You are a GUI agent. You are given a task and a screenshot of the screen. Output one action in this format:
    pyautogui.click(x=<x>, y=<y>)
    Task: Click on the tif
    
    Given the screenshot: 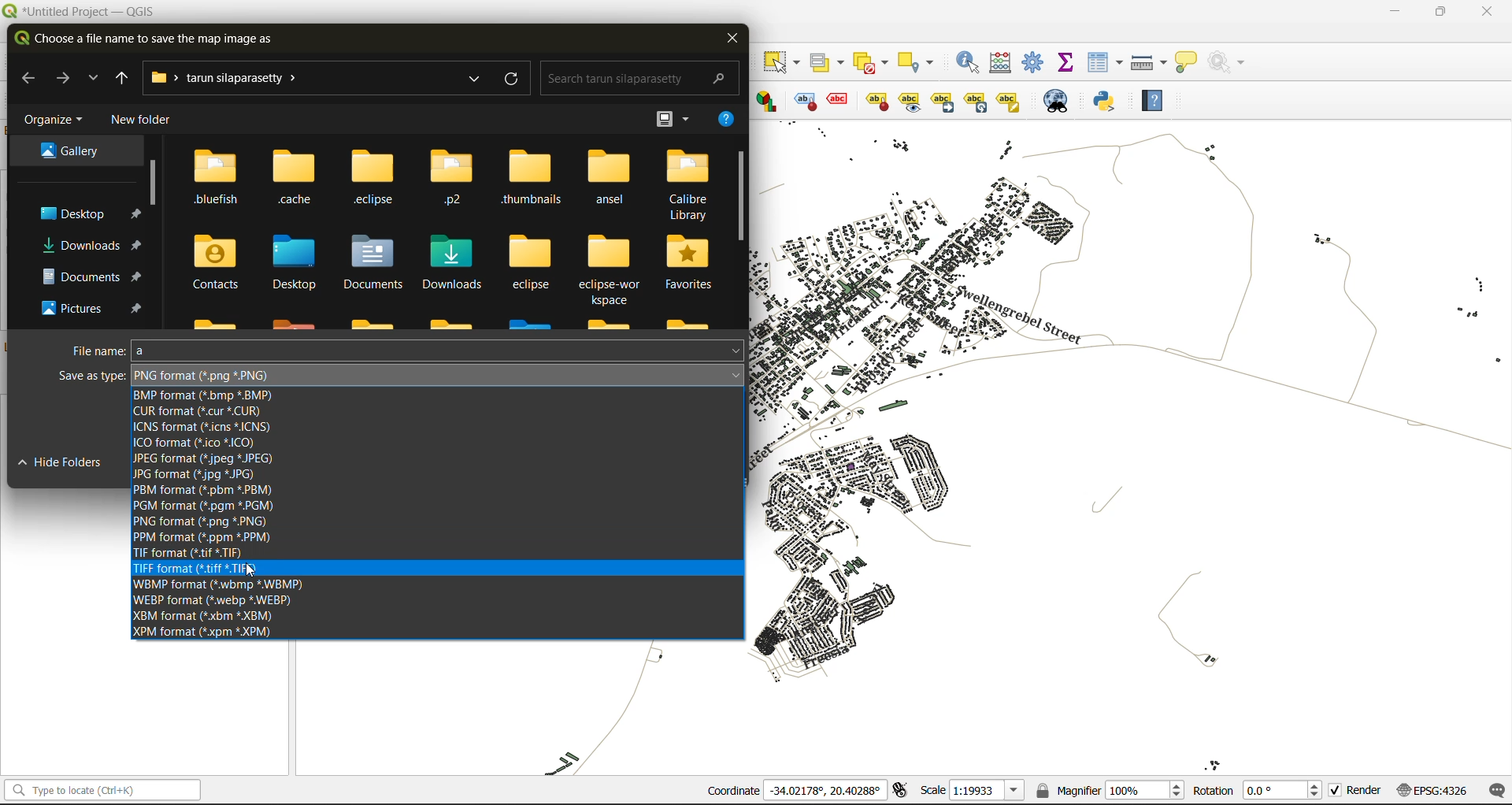 What is the action you would take?
    pyautogui.click(x=193, y=554)
    